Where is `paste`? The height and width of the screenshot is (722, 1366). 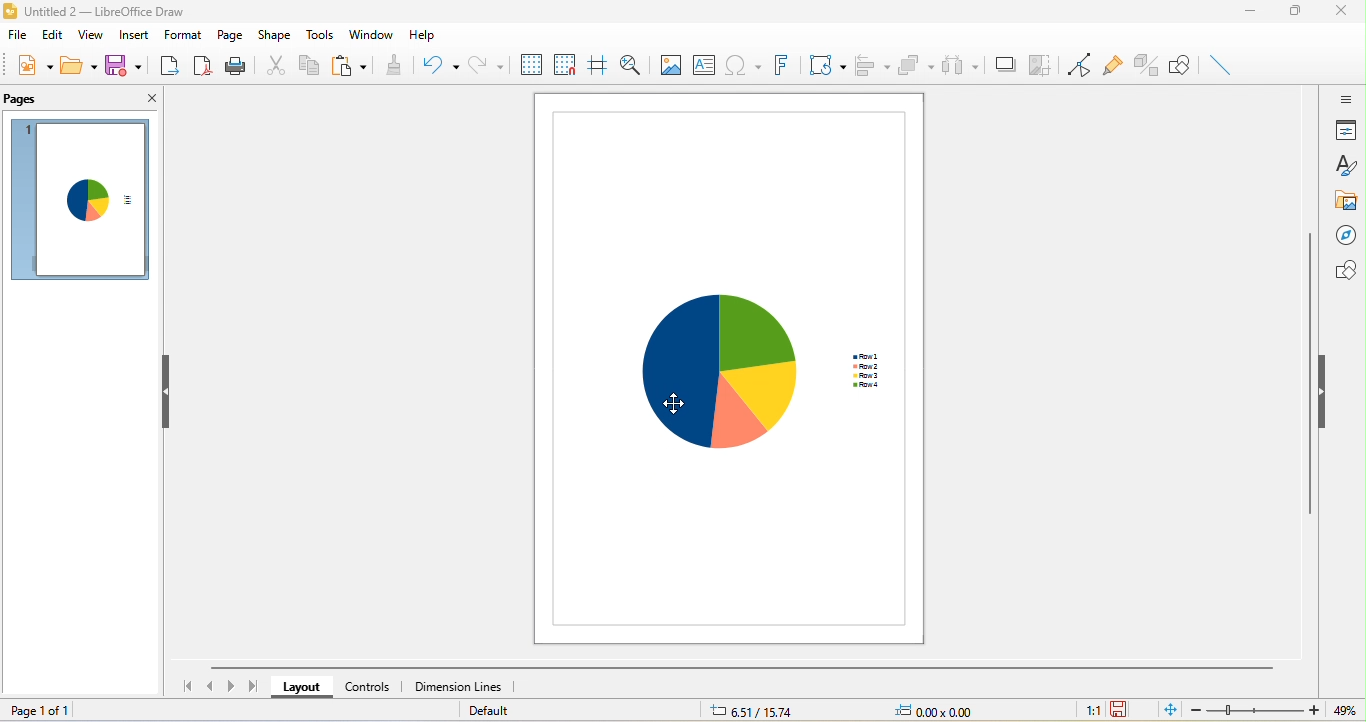
paste is located at coordinates (349, 65).